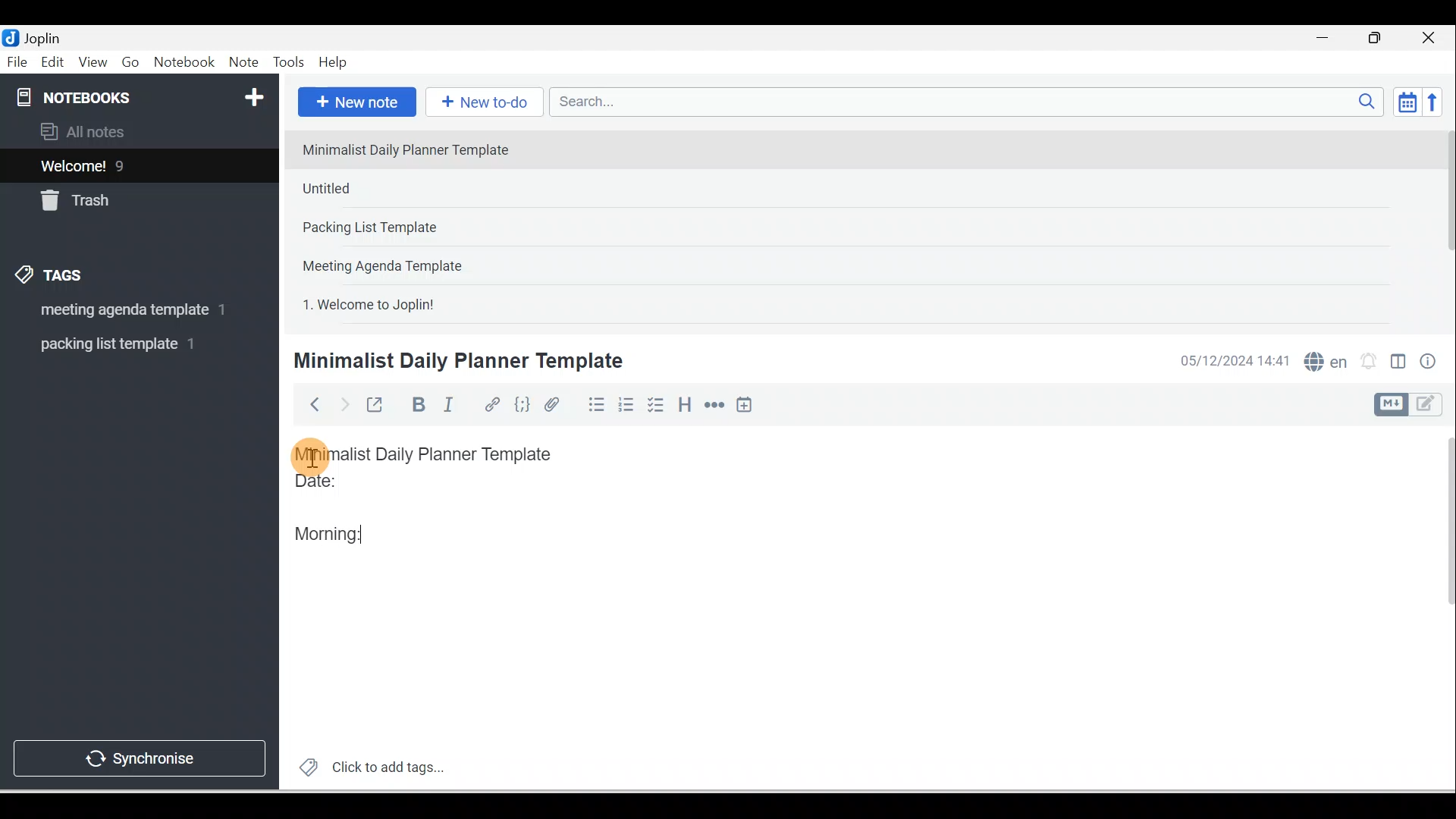  Describe the element at coordinates (340, 530) in the screenshot. I see `Morning:` at that location.